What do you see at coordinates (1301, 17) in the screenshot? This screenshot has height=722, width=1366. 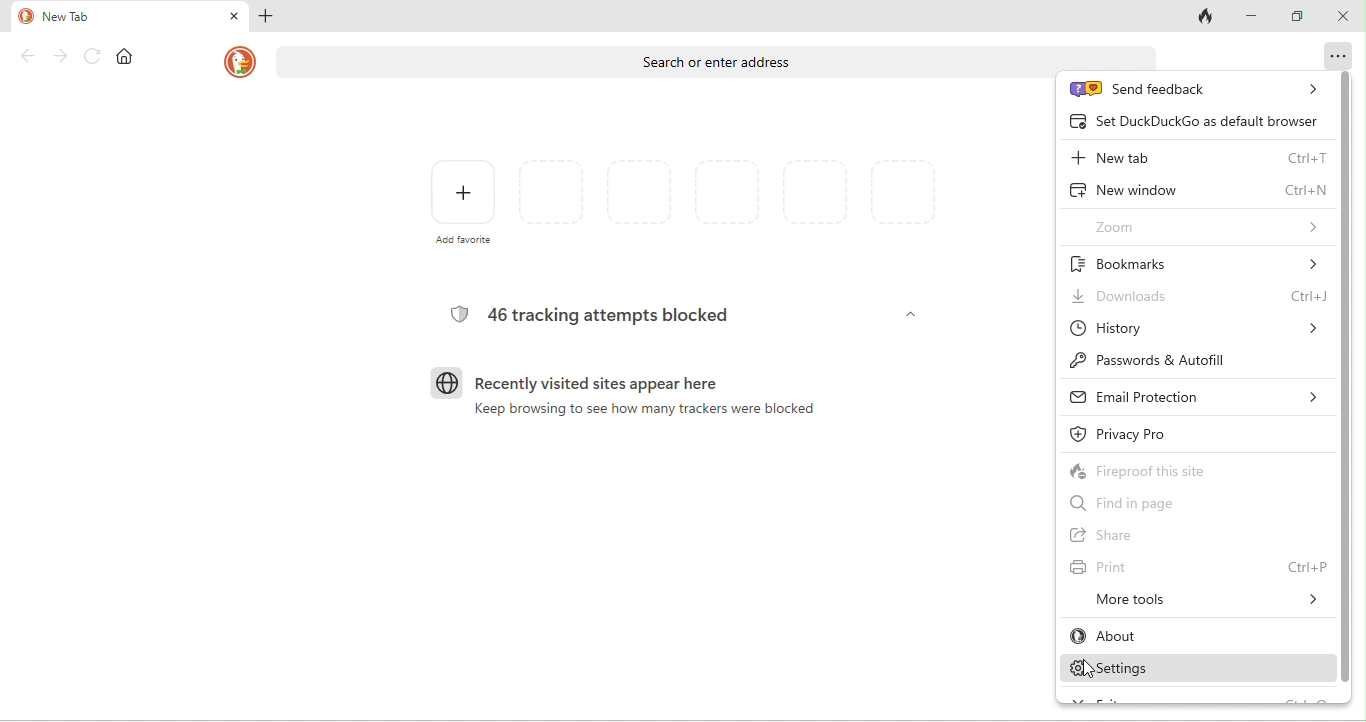 I see `maximize` at bounding box center [1301, 17].